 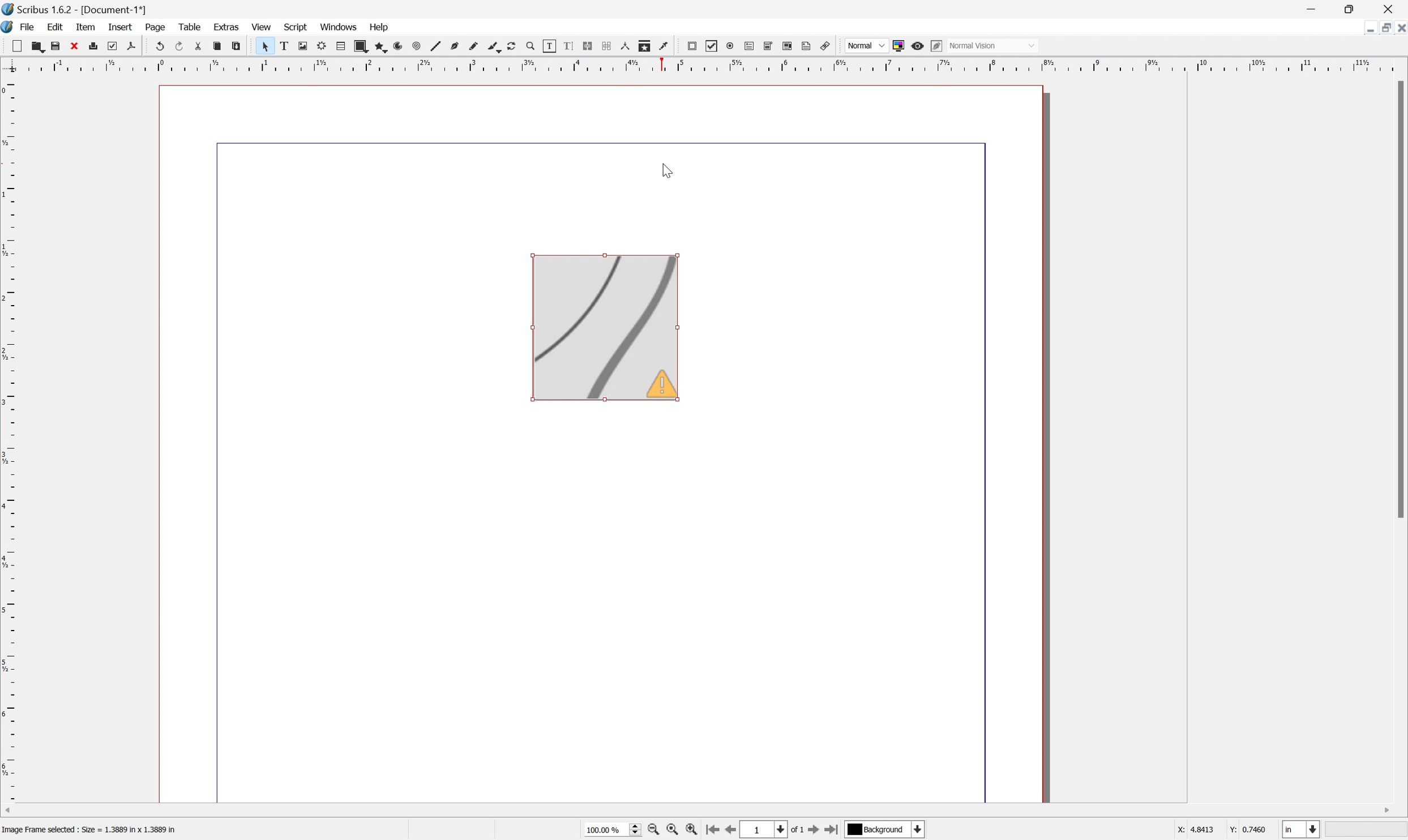 What do you see at coordinates (731, 45) in the screenshot?
I see `PDF radio button` at bounding box center [731, 45].